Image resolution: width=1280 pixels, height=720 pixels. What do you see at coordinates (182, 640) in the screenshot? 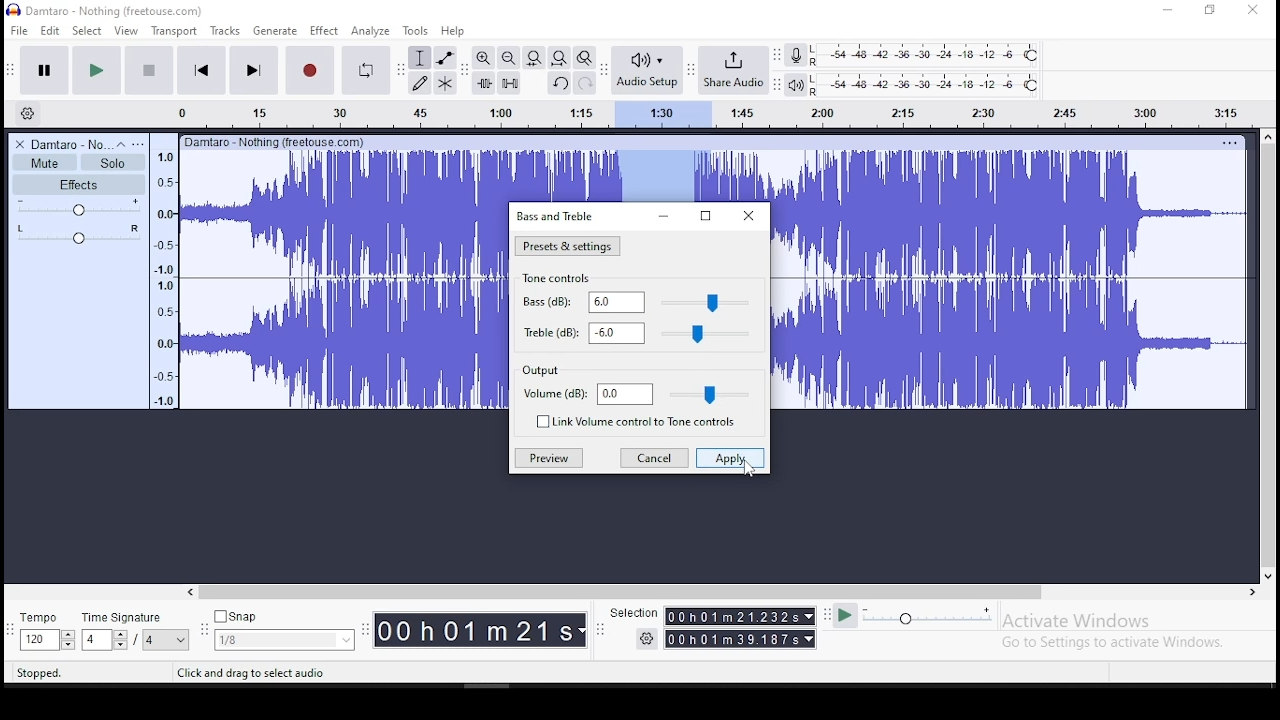
I see `drop down` at bounding box center [182, 640].